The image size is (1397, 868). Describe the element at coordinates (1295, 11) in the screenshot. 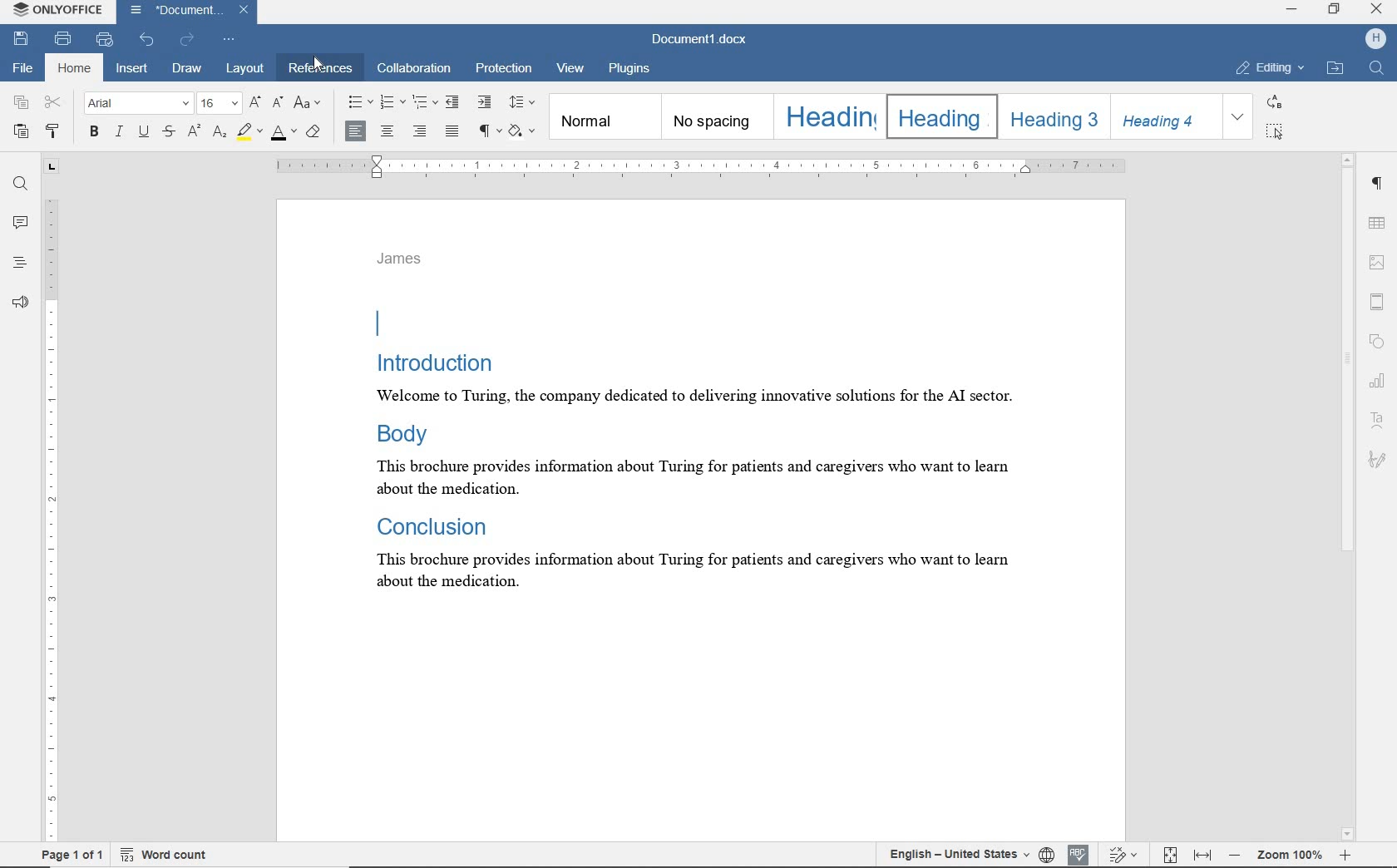

I see `minimize` at that location.